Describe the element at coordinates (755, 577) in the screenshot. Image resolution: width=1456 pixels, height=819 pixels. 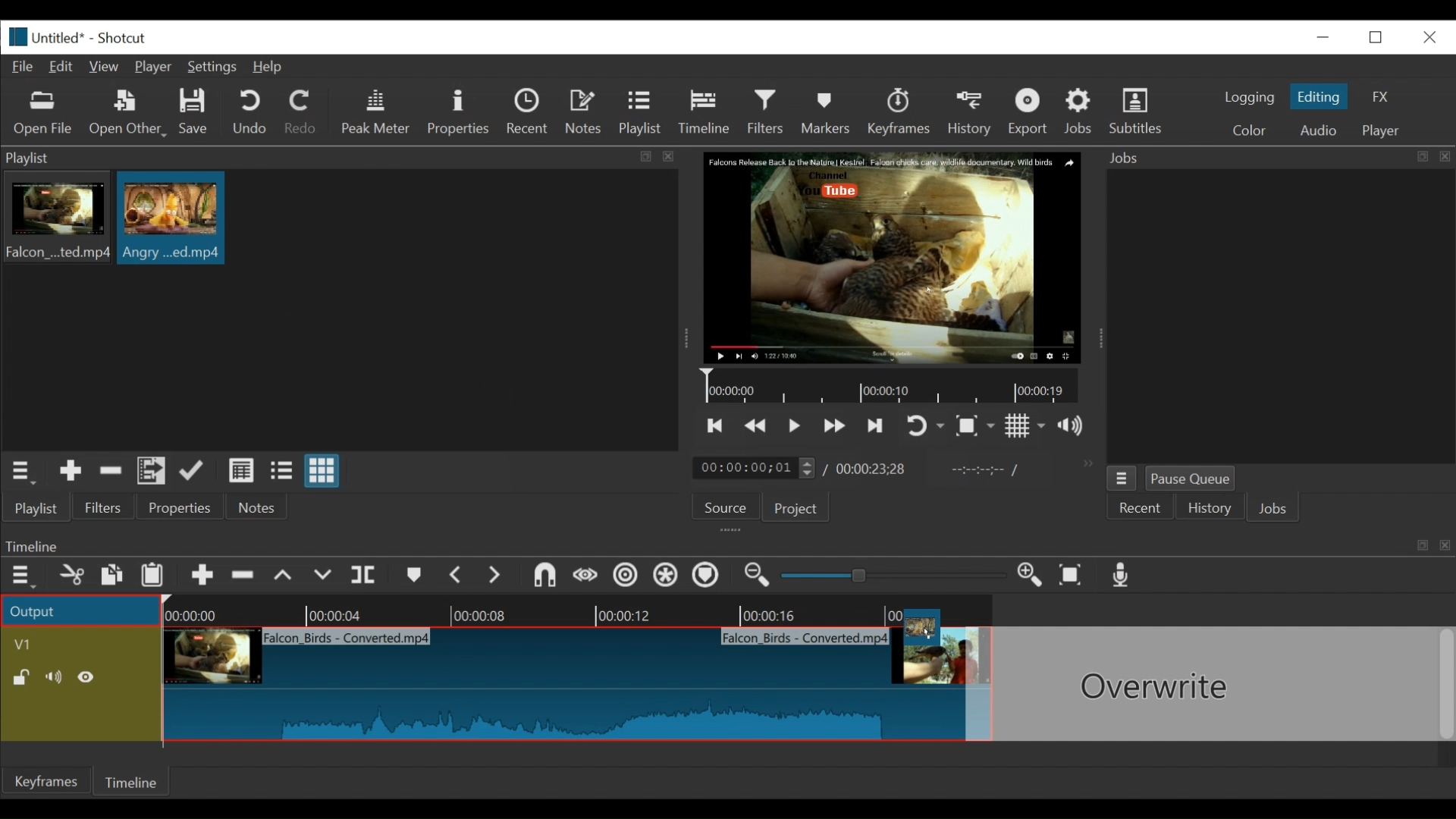
I see `Zoom timeline in` at that location.